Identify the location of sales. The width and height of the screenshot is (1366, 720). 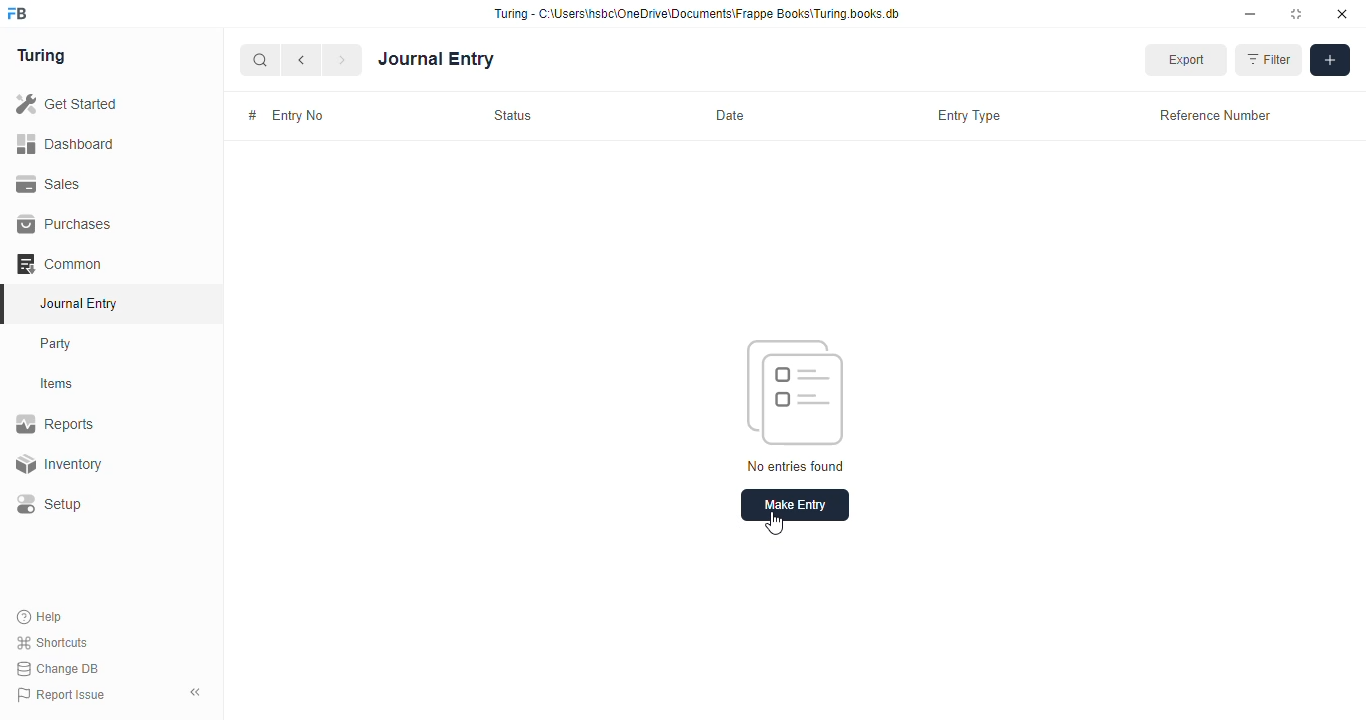
(49, 183).